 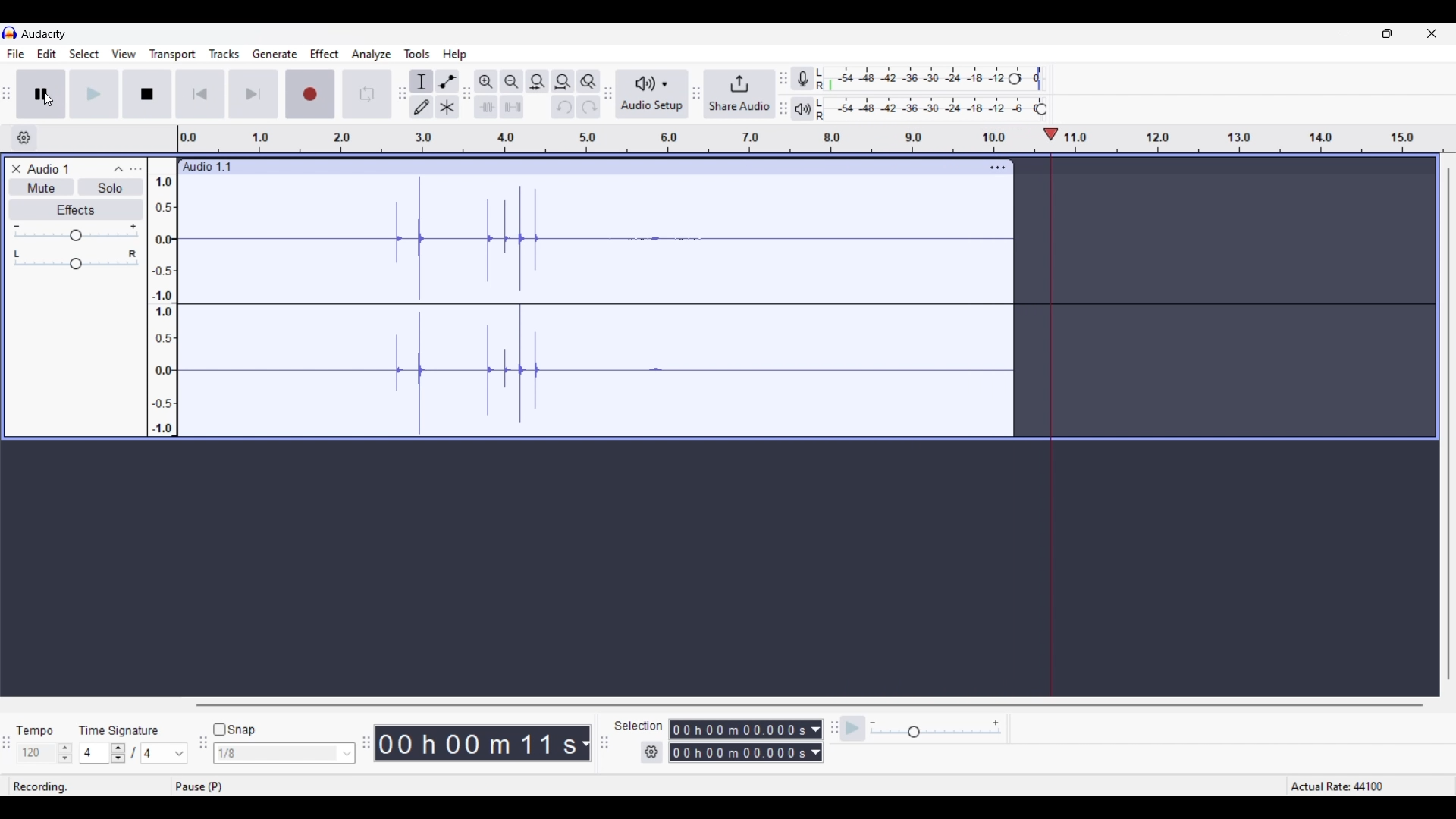 What do you see at coordinates (124, 54) in the screenshot?
I see `View menu` at bounding box center [124, 54].